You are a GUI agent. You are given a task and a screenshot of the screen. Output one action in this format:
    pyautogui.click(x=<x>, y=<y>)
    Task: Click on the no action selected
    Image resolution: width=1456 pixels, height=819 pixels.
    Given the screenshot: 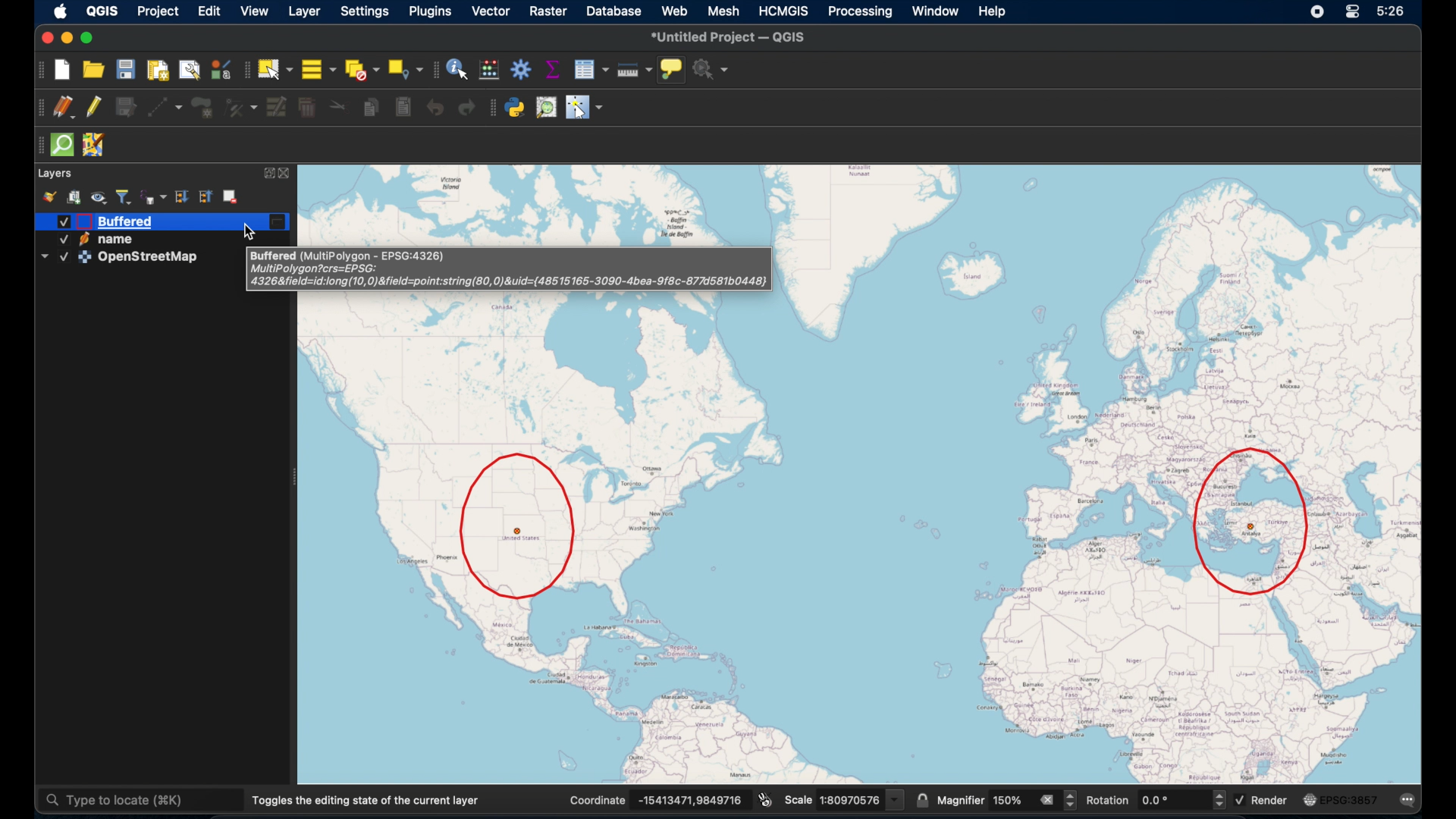 What is the action you would take?
    pyautogui.click(x=711, y=69)
    